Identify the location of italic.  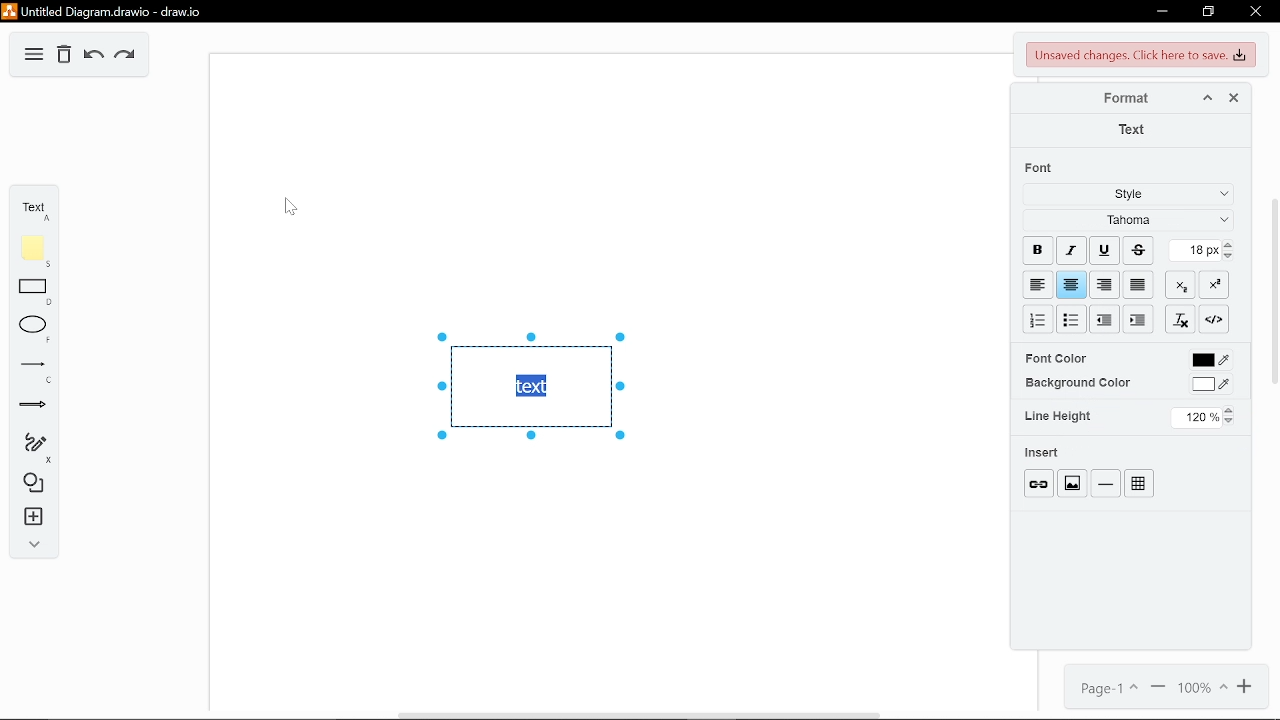
(1071, 250).